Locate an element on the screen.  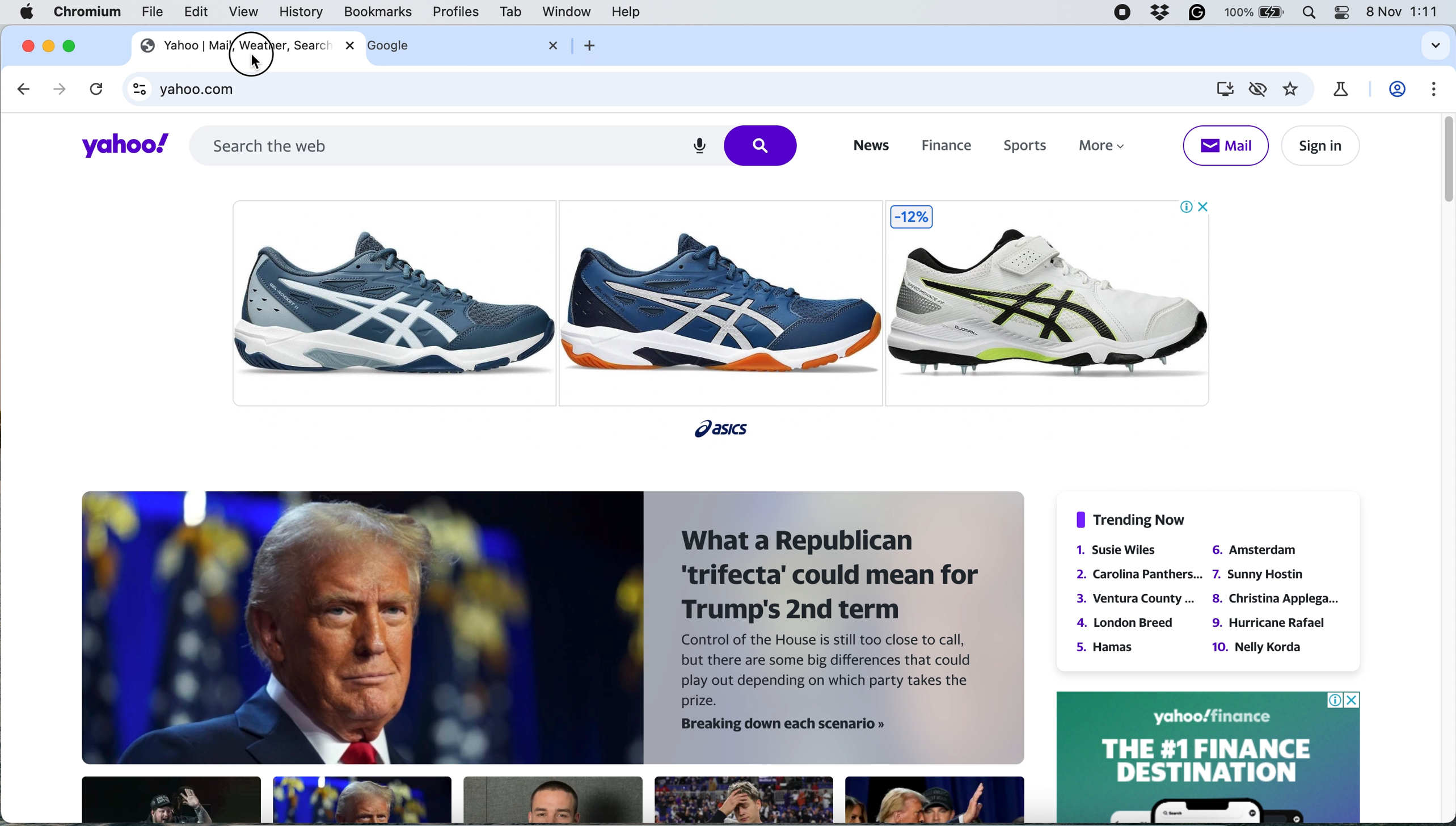
view is located at coordinates (246, 12).